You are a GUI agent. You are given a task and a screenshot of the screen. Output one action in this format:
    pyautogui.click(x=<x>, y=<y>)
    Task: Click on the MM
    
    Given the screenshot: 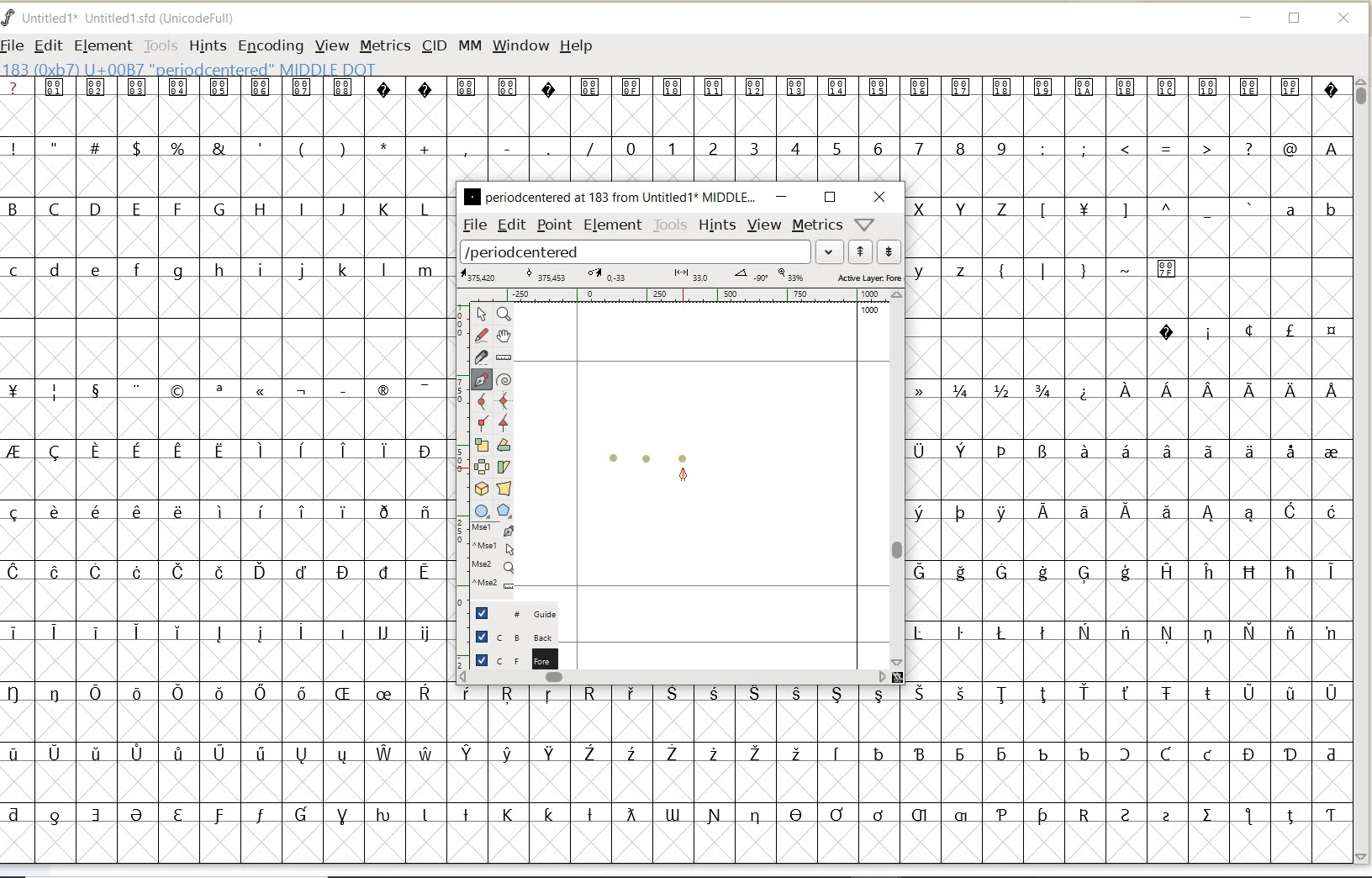 What is the action you would take?
    pyautogui.click(x=470, y=46)
    